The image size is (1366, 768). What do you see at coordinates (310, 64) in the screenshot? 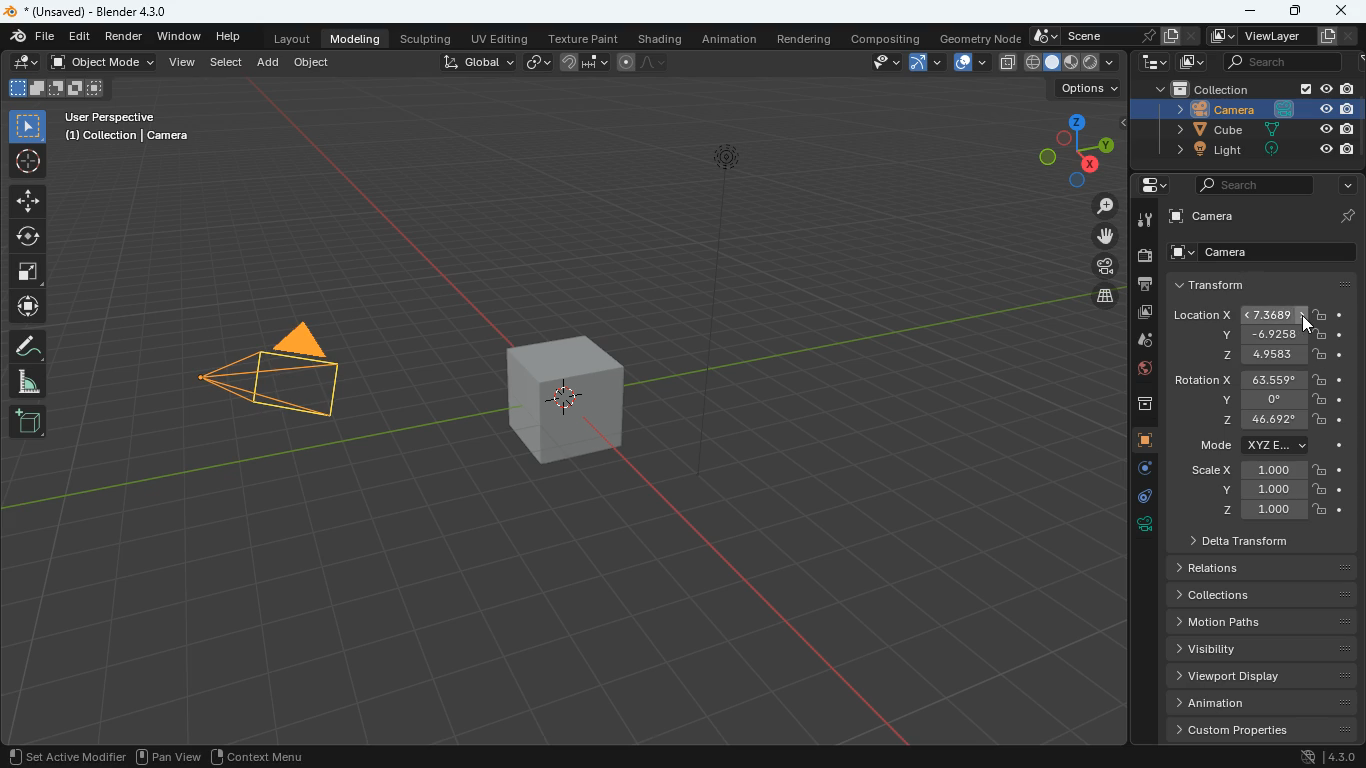
I see `object` at bounding box center [310, 64].